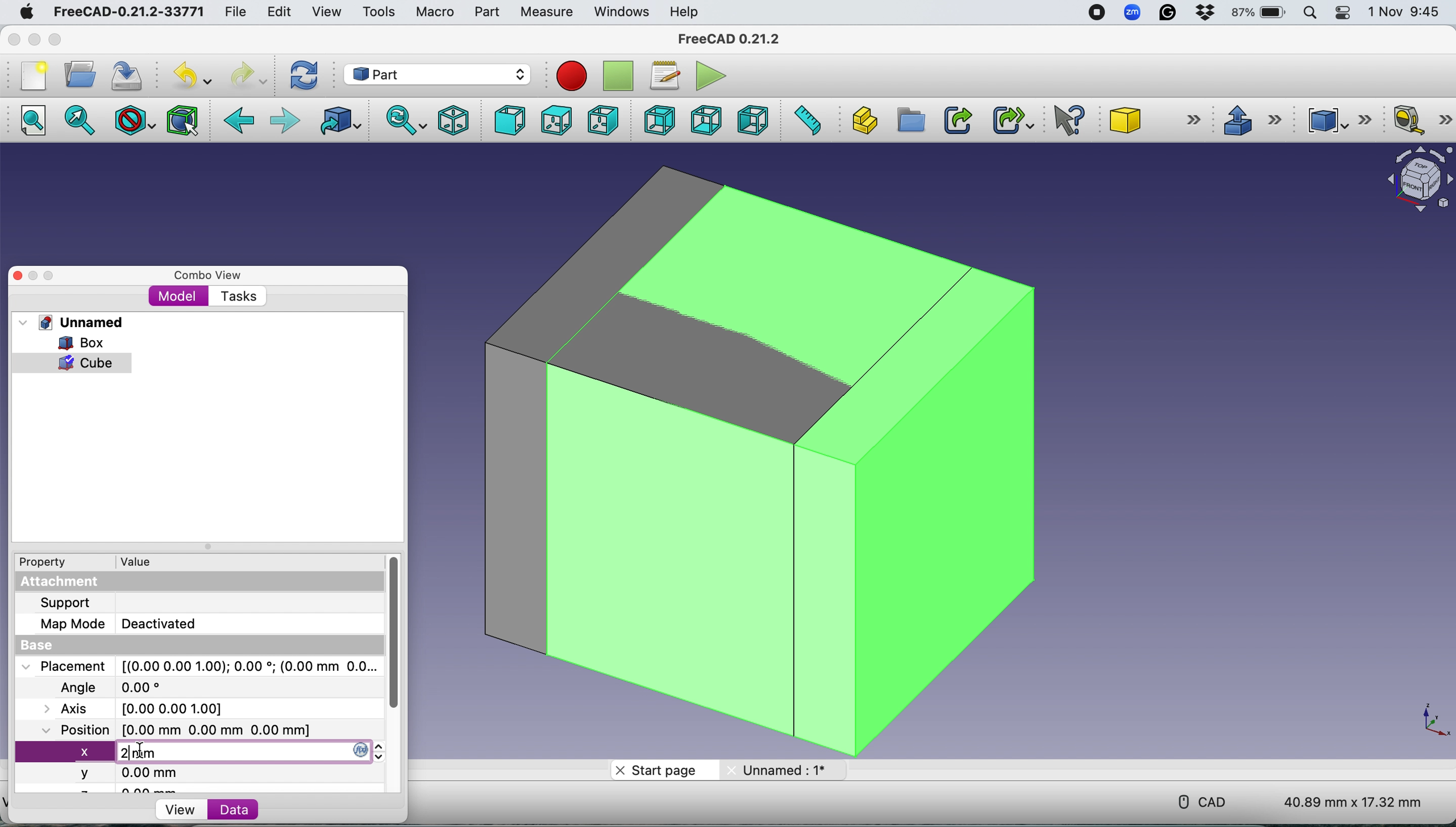  Describe the element at coordinates (238, 297) in the screenshot. I see `Tasks` at that location.